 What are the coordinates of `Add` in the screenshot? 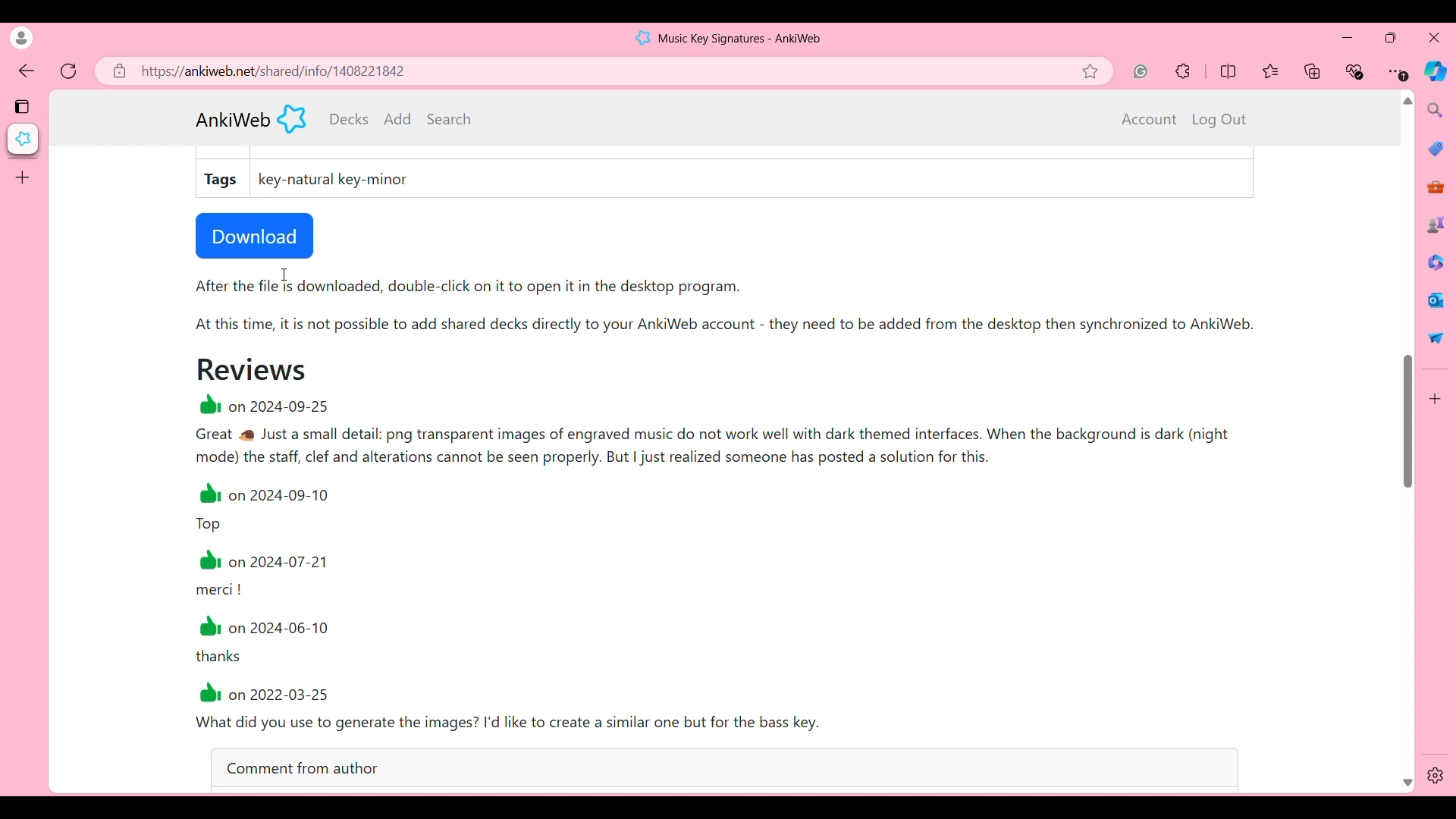 It's located at (398, 118).